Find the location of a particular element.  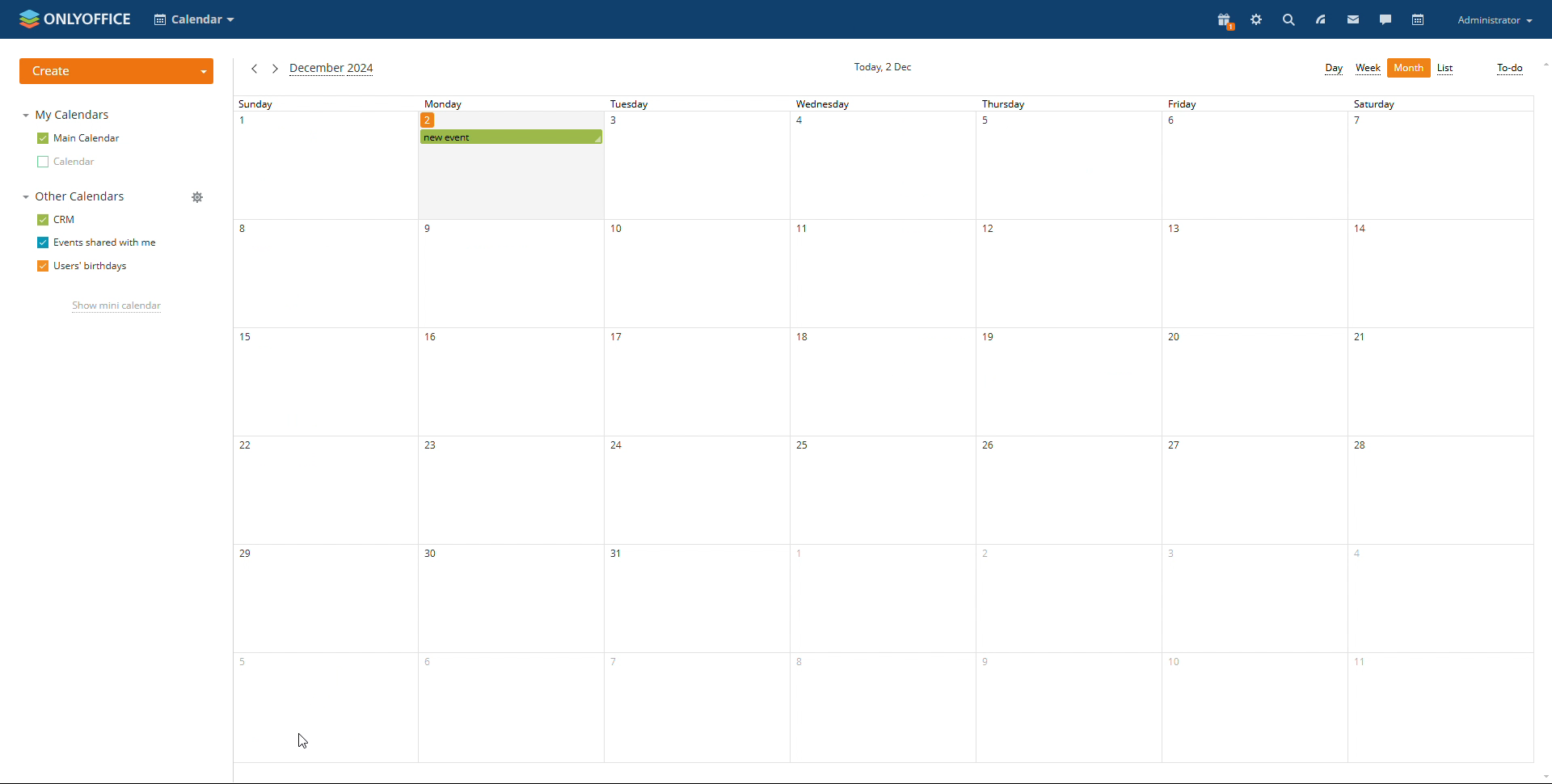

users' birthdays is located at coordinates (82, 266).